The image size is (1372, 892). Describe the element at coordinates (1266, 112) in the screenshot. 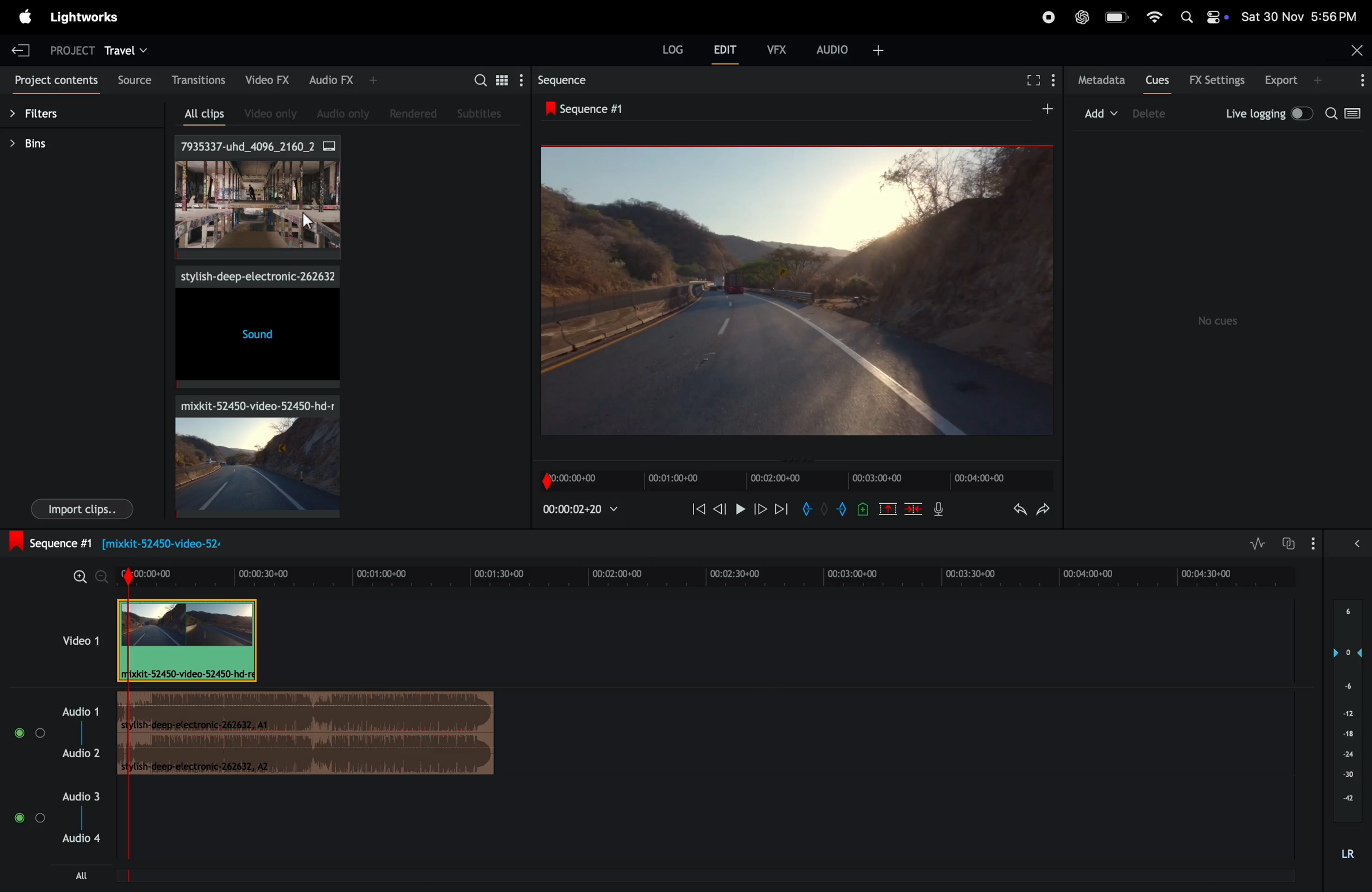

I see `live logging` at that location.